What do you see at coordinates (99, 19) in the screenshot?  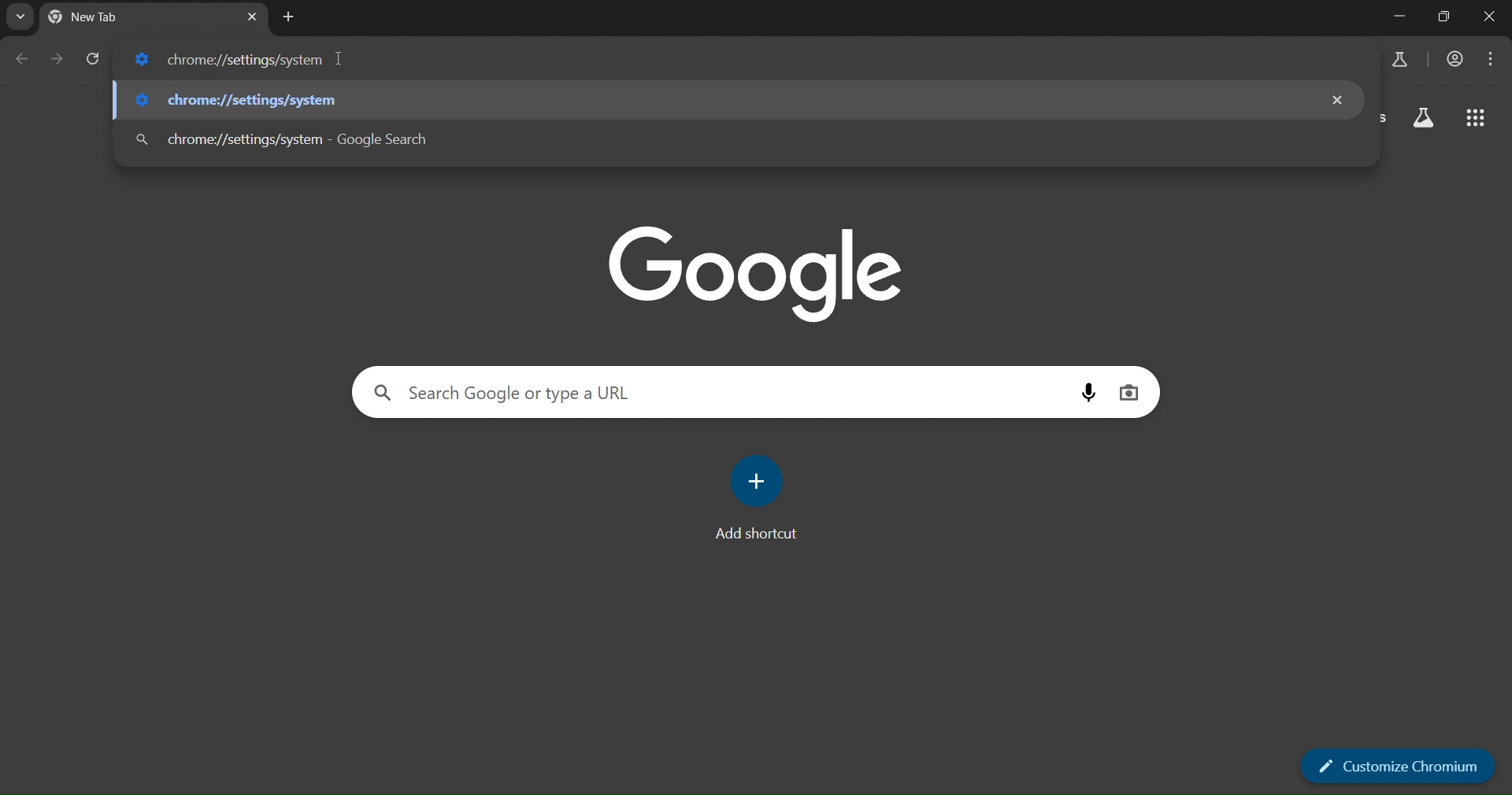 I see `current tab` at bounding box center [99, 19].